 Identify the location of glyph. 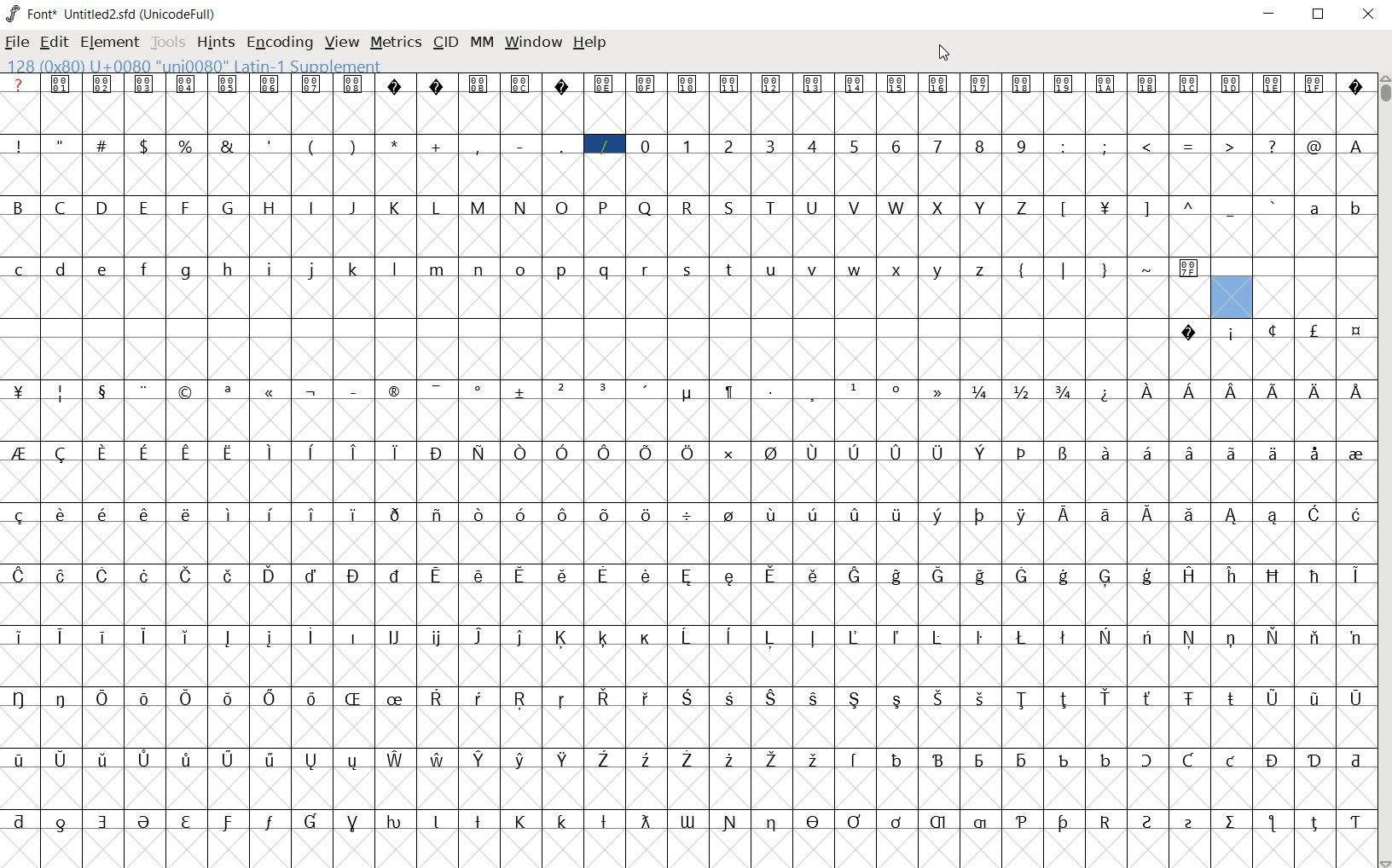
(1064, 209).